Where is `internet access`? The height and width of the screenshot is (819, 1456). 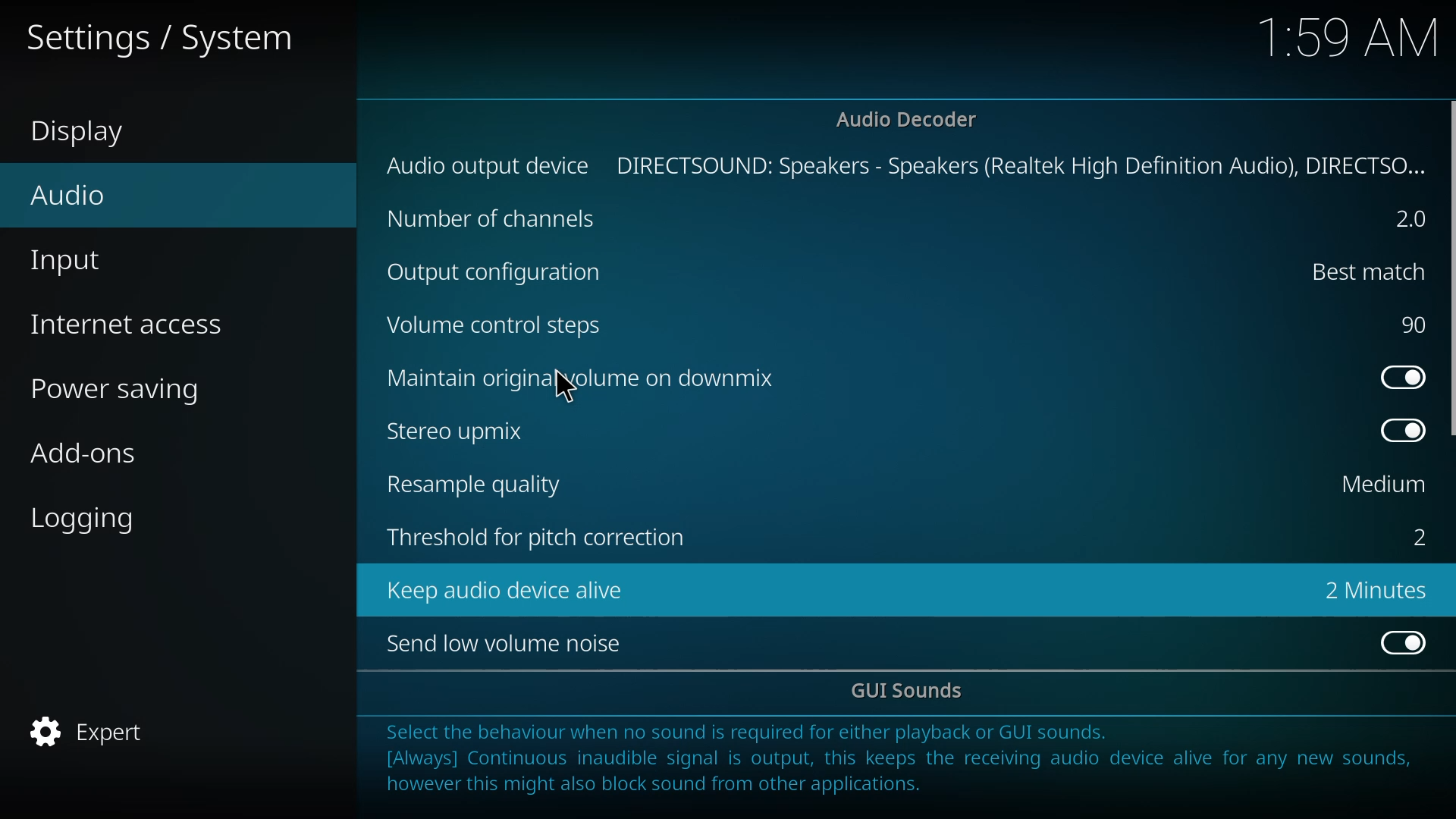
internet access is located at coordinates (133, 325).